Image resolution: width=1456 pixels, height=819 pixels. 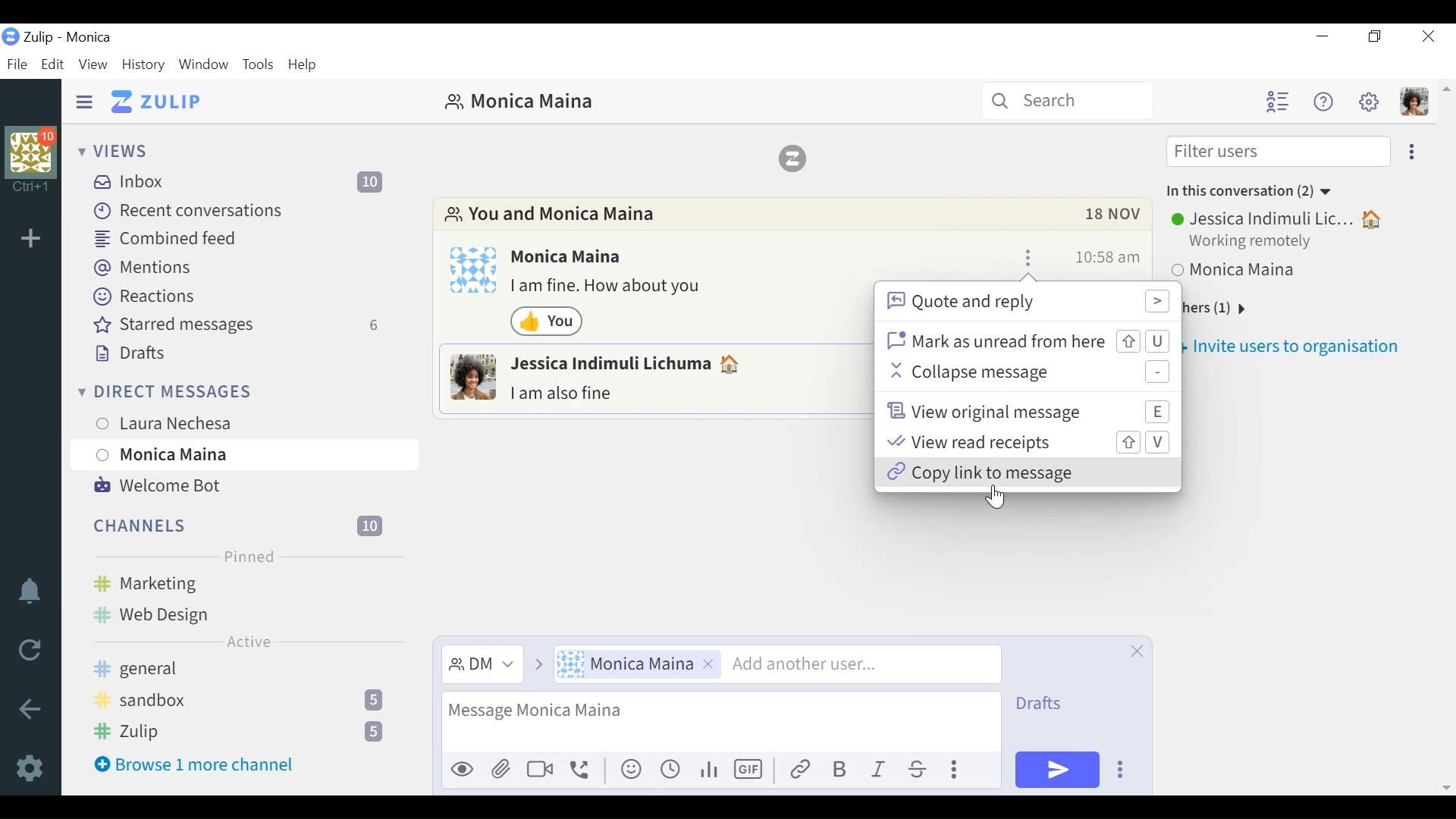 I want to click on Add emoji reaction, so click(x=1002, y=256).